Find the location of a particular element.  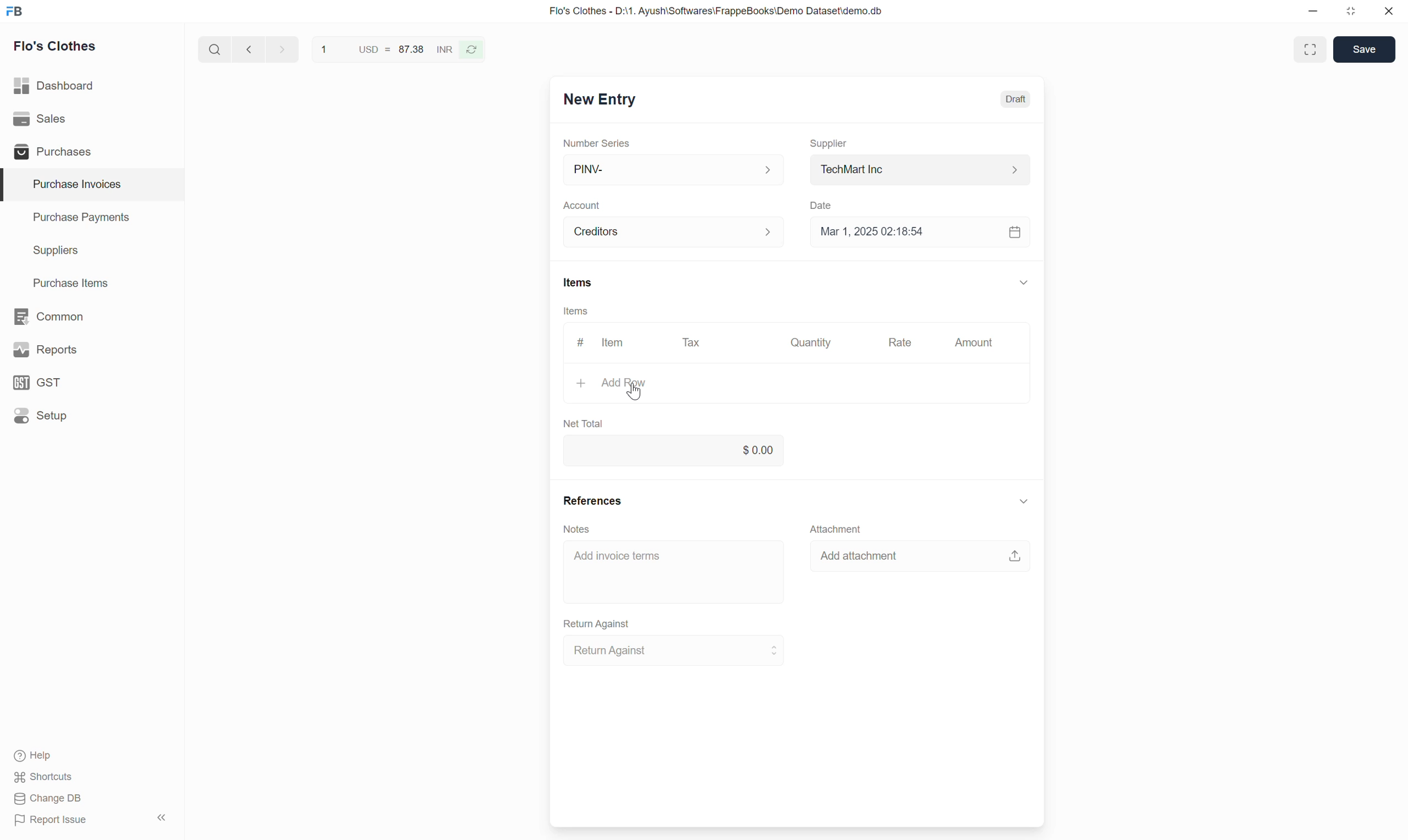

Help is located at coordinates (38, 756).